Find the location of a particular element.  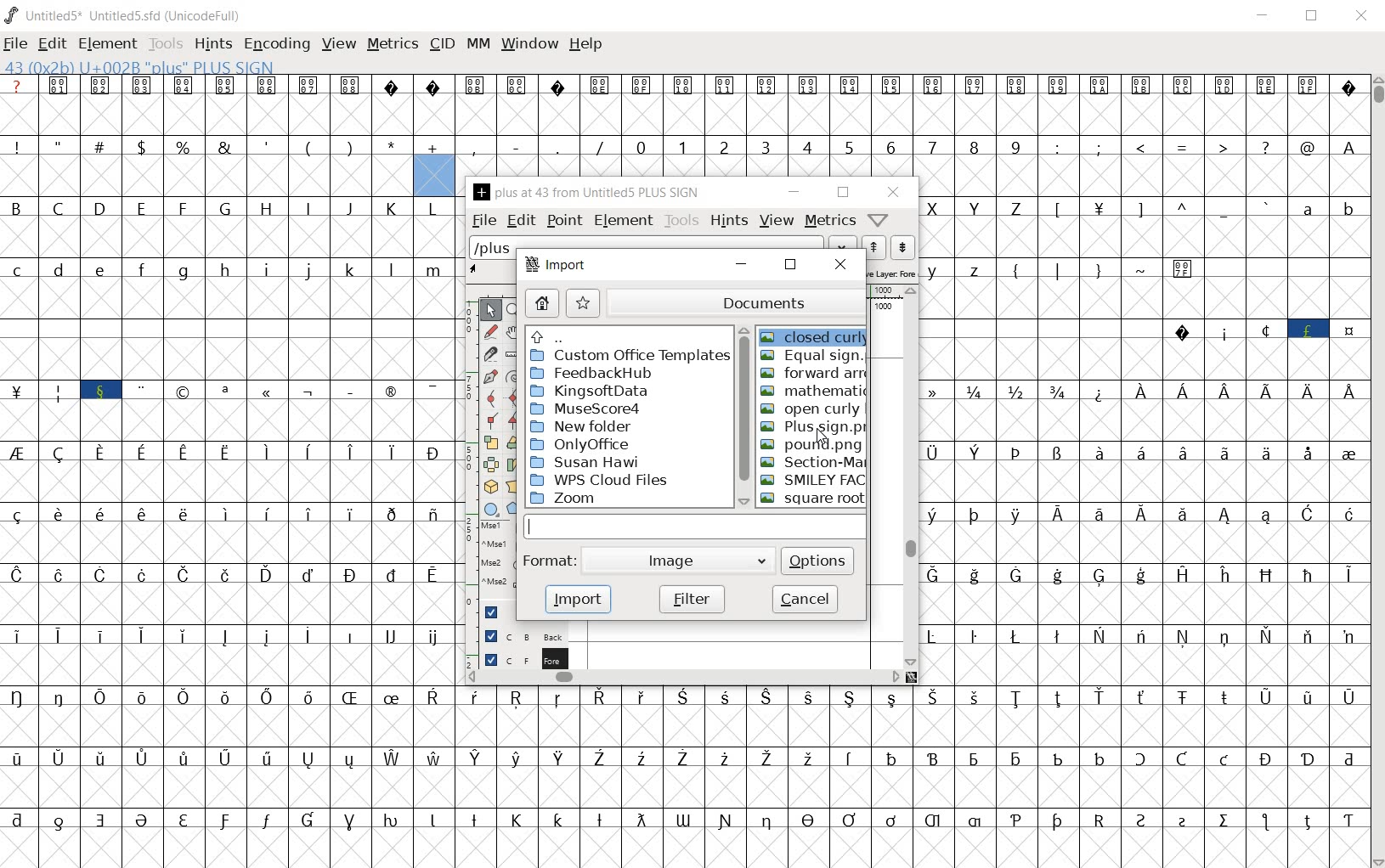

close is located at coordinates (1360, 17).